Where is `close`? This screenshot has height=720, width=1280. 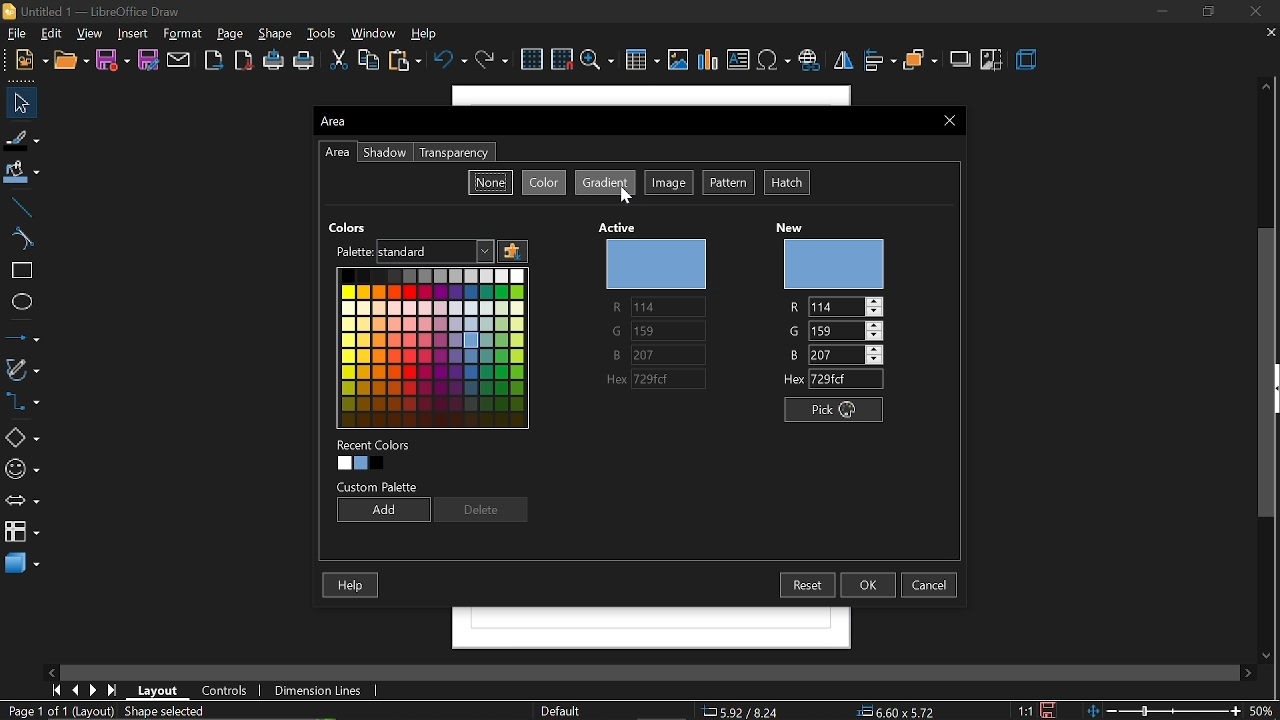
close is located at coordinates (1260, 11).